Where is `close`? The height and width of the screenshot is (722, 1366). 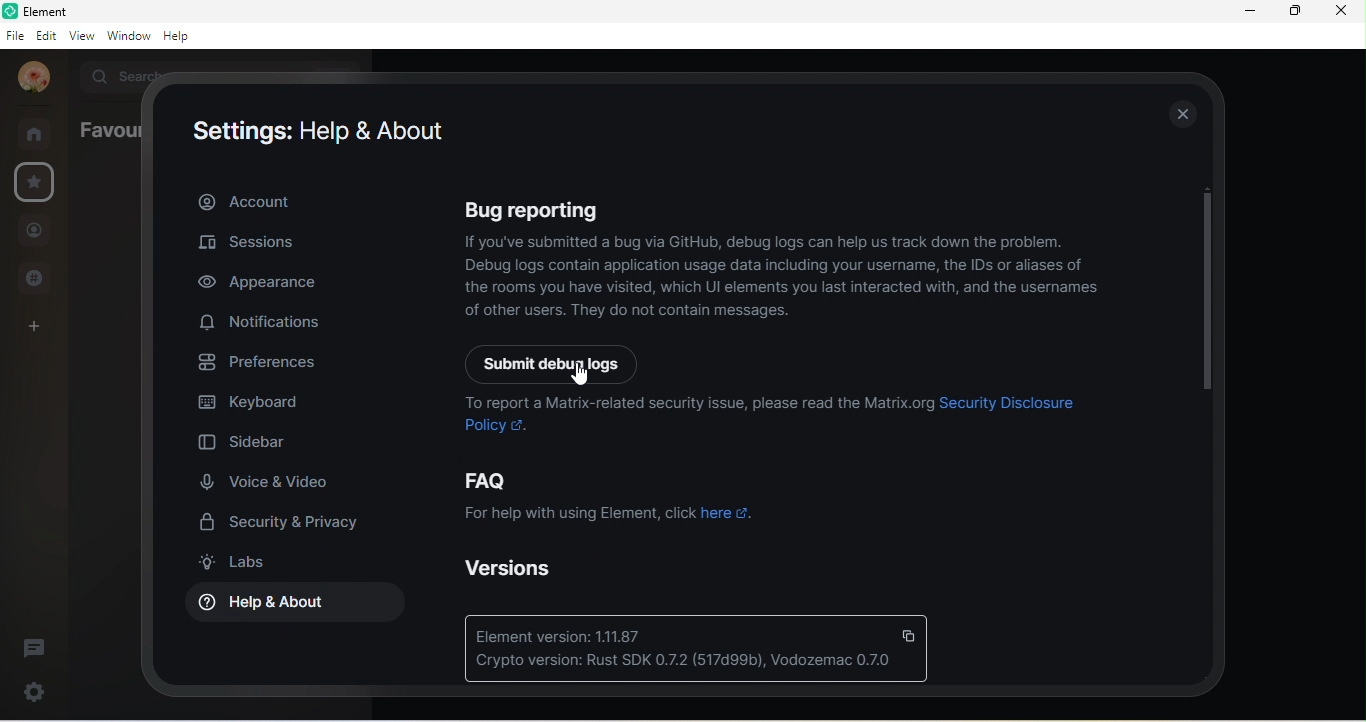 close is located at coordinates (1340, 10).